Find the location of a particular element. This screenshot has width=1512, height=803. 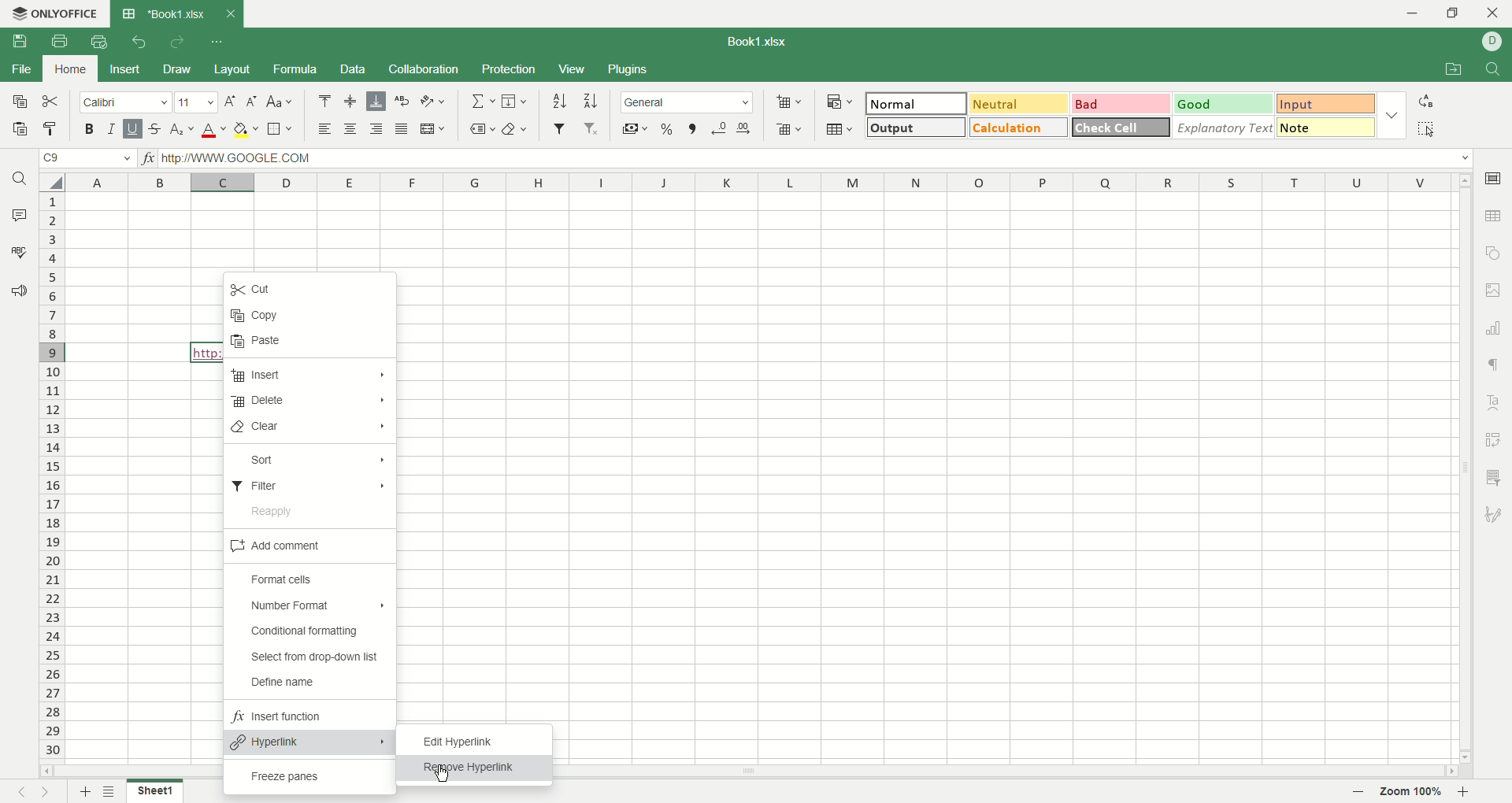

align middle is located at coordinates (350, 100).